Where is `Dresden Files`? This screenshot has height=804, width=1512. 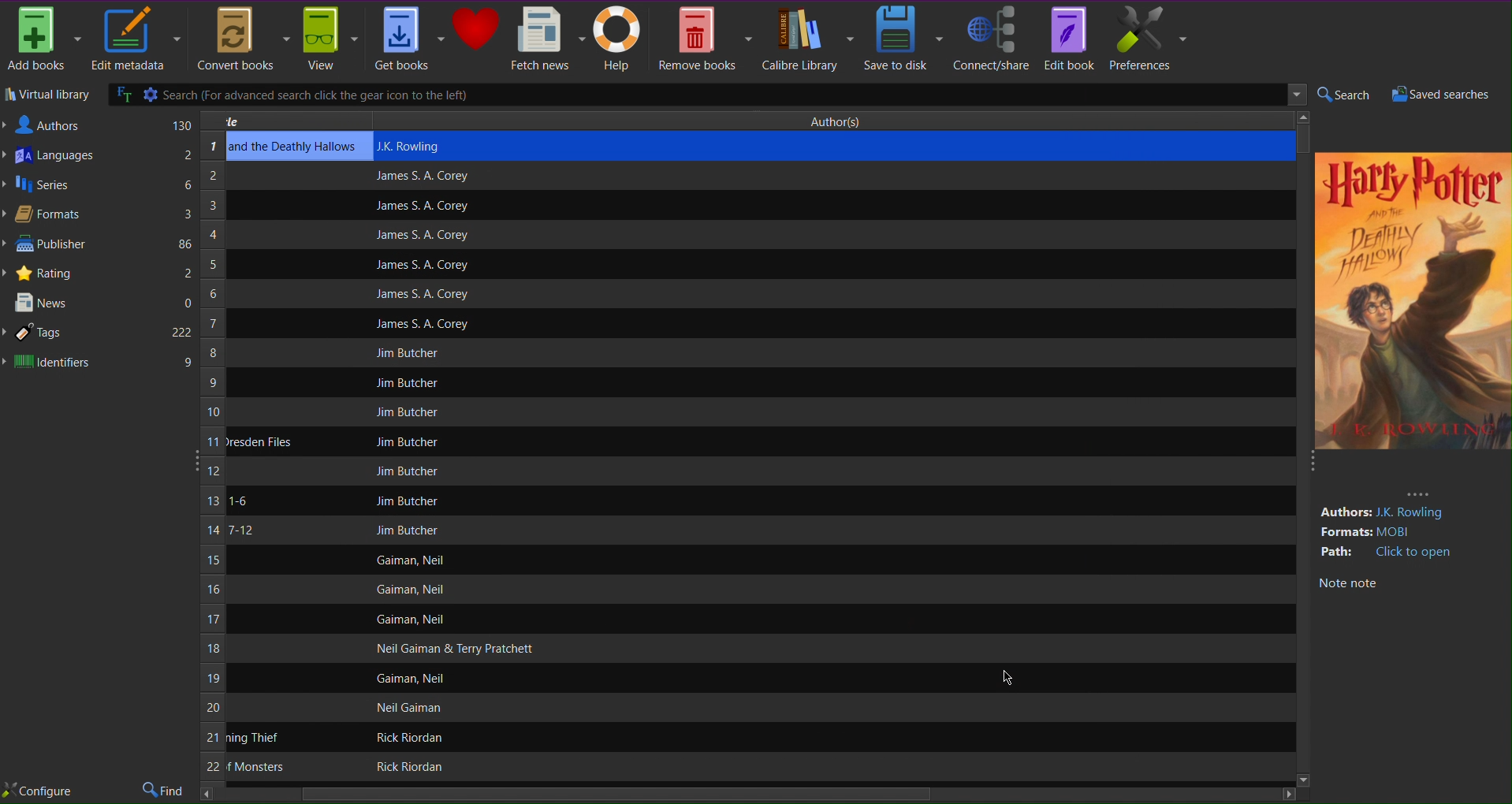
Dresden Files is located at coordinates (260, 441).